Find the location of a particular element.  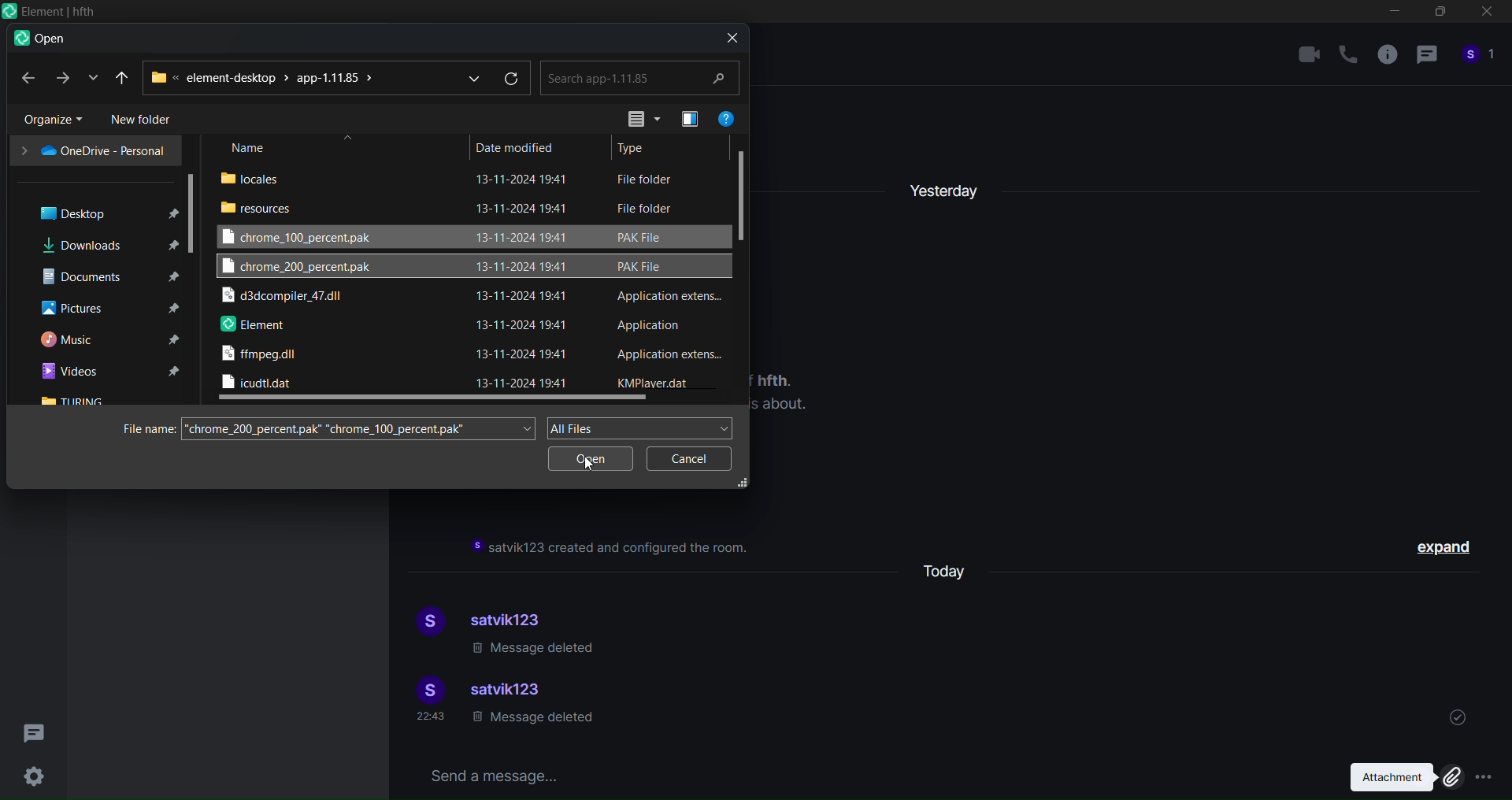

vertical scroll bar is located at coordinates (745, 191).